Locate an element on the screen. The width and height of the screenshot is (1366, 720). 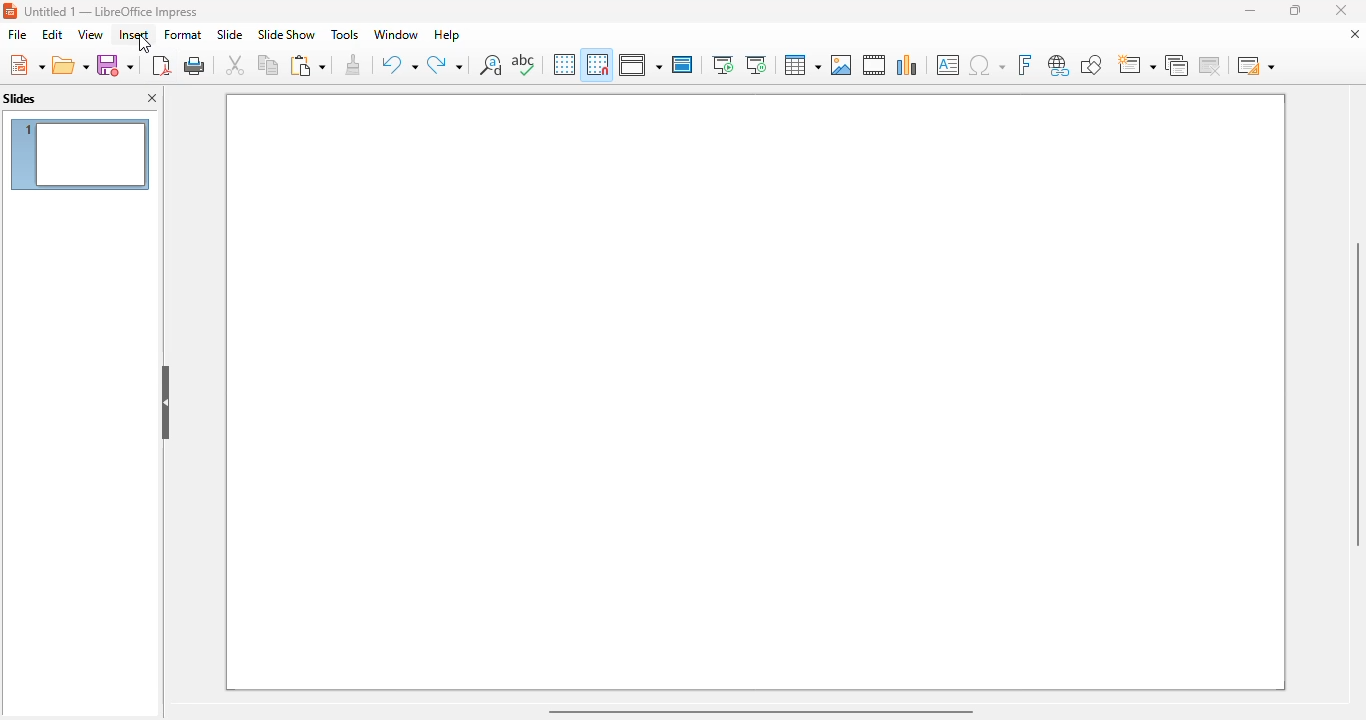
start from current slide is located at coordinates (756, 65).